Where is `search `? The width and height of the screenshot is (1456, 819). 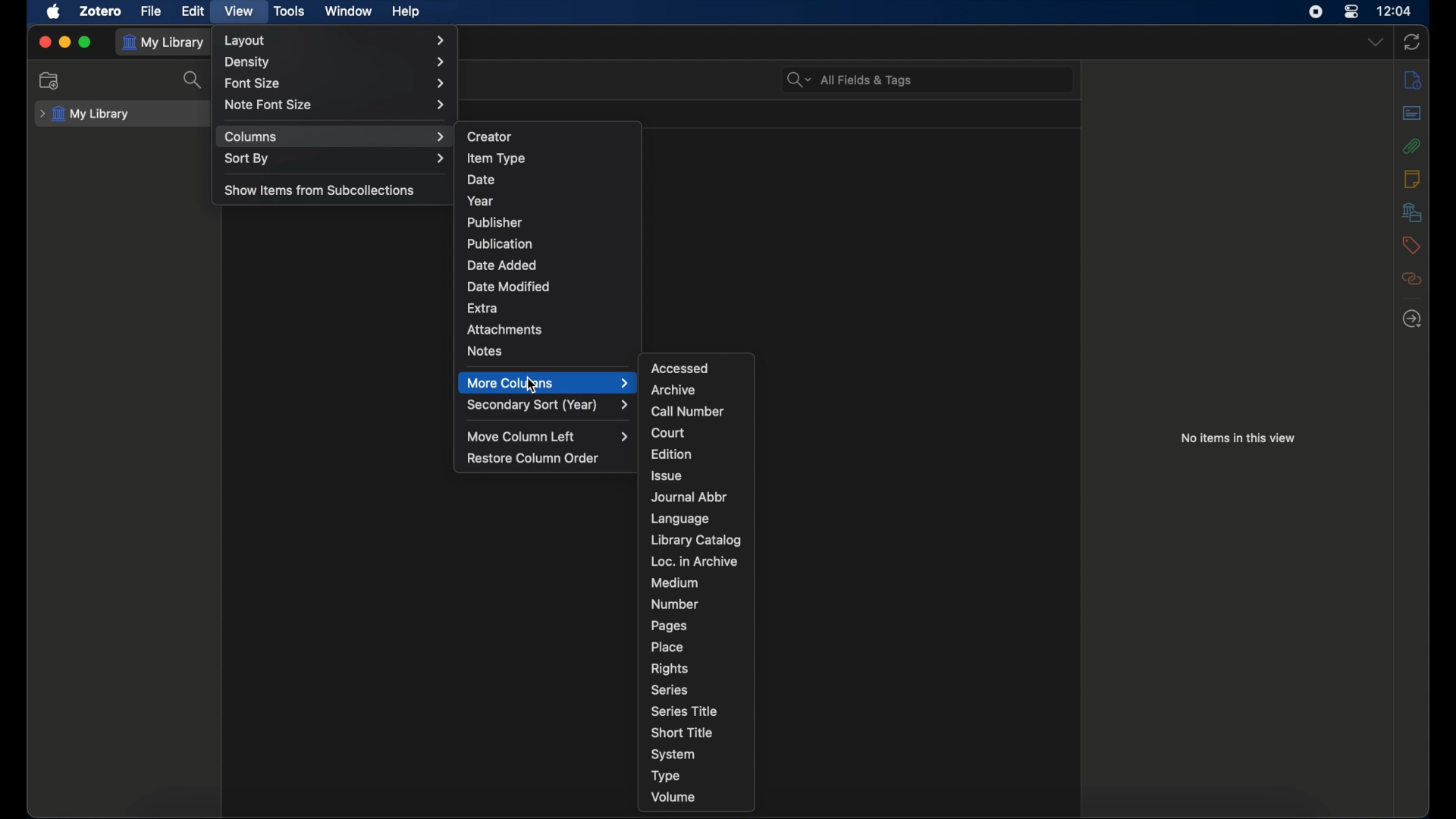
search  is located at coordinates (195, 80).